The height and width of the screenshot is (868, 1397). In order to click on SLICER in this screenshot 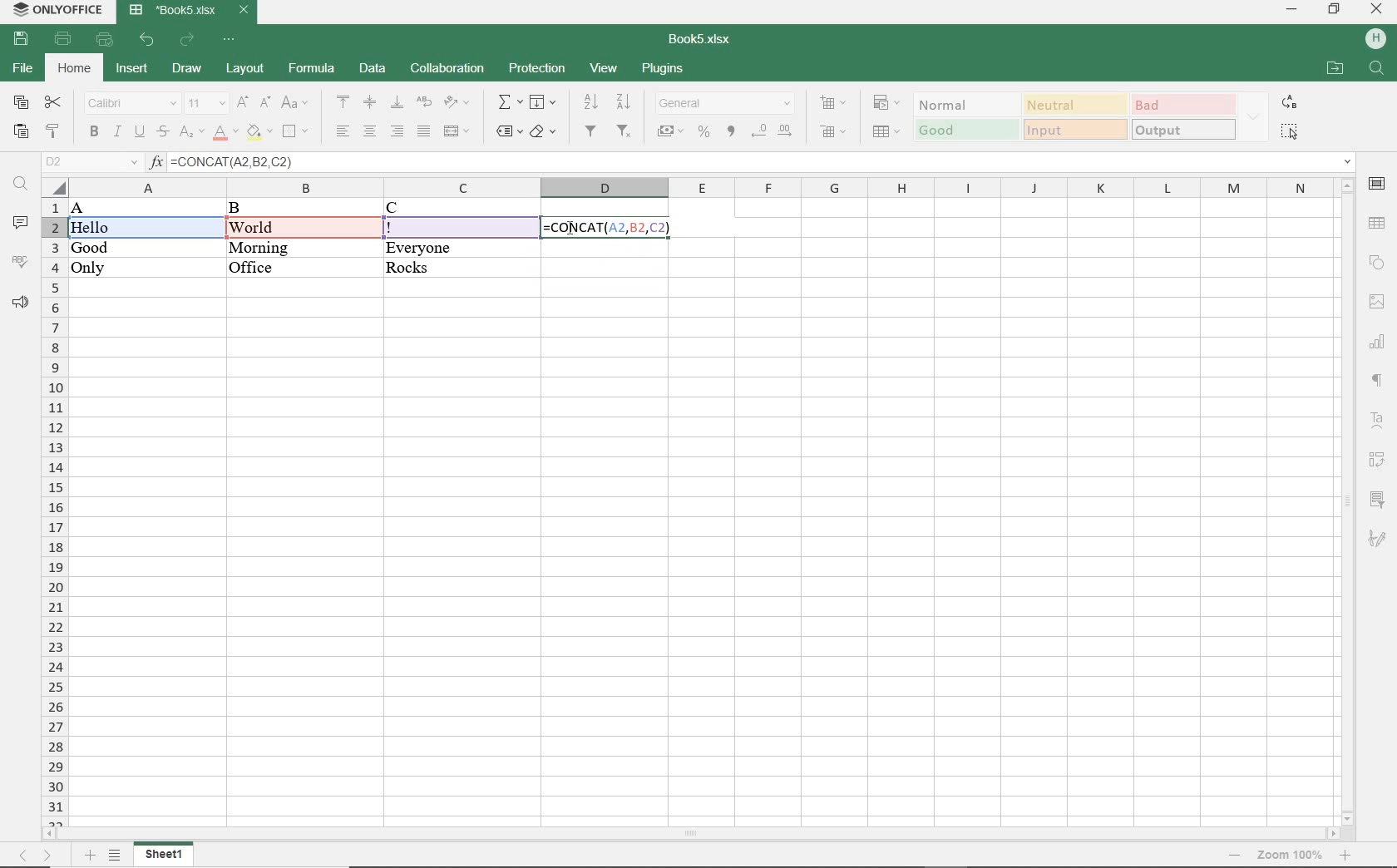, I will do `click(1377, 499)`.